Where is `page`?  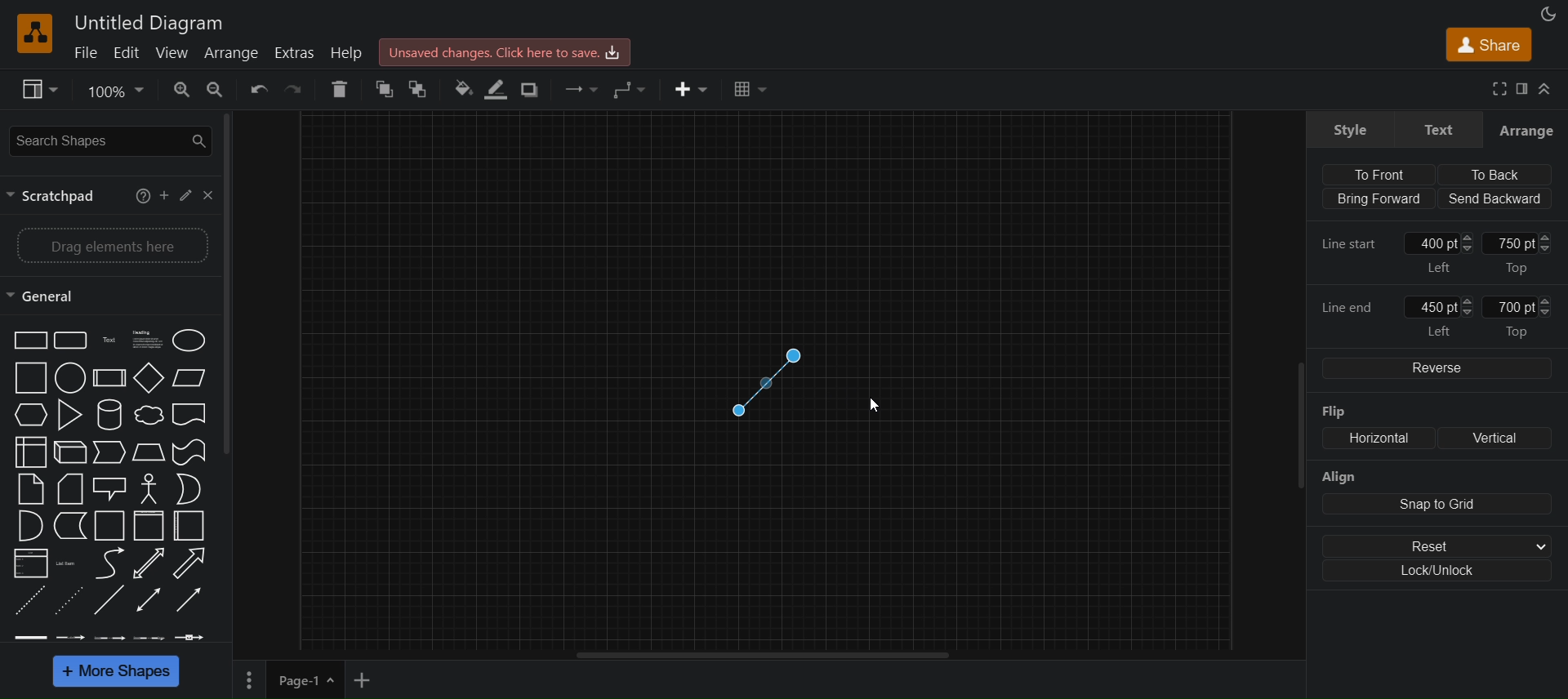 page is located at coordinates (250, 679).